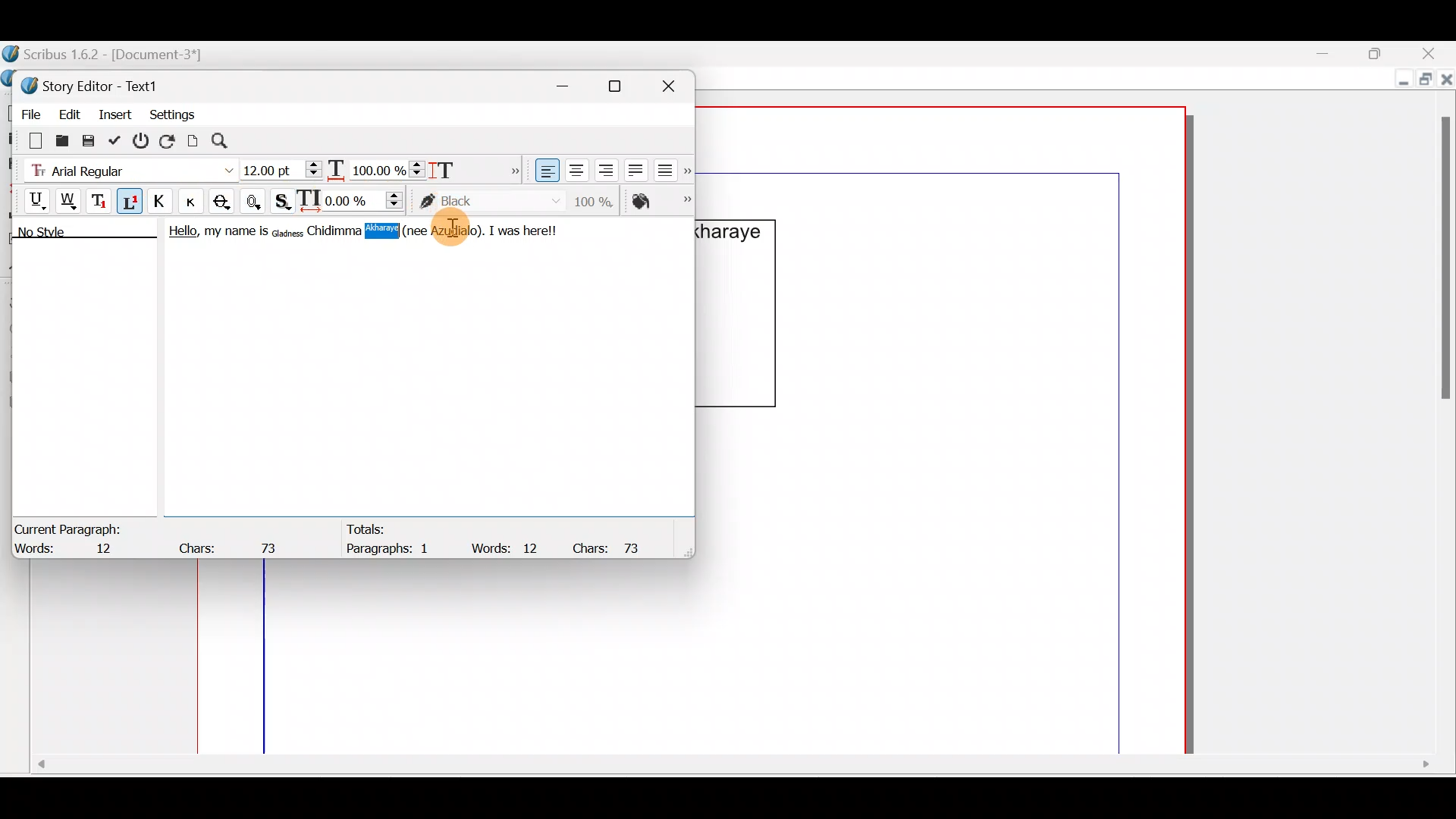 This screenshot has width=1456, height=819. I want to click on Minimize, so click(1400, 81).